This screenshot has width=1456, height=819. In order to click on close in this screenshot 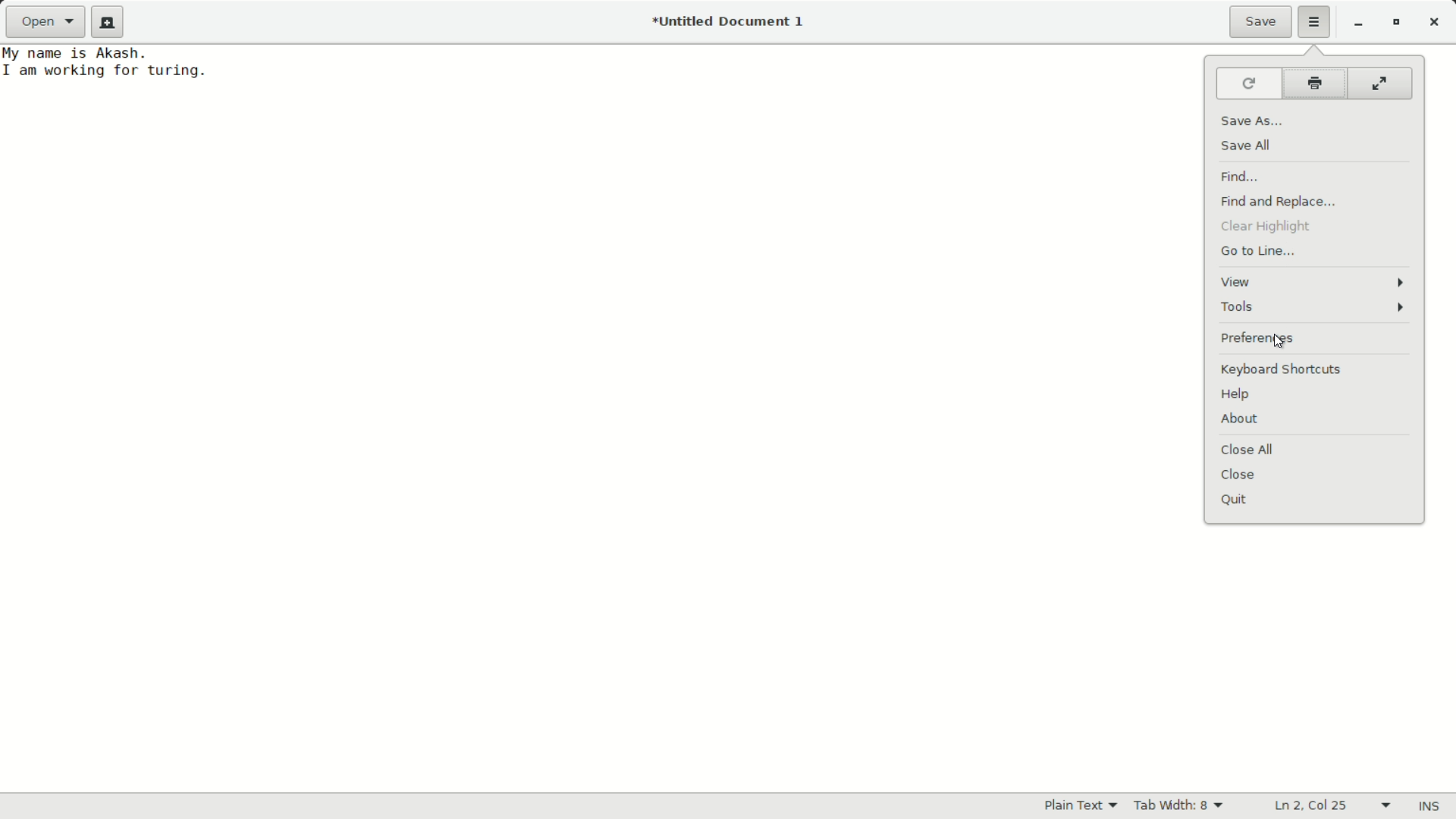, I will do `click(1239, 473)`.